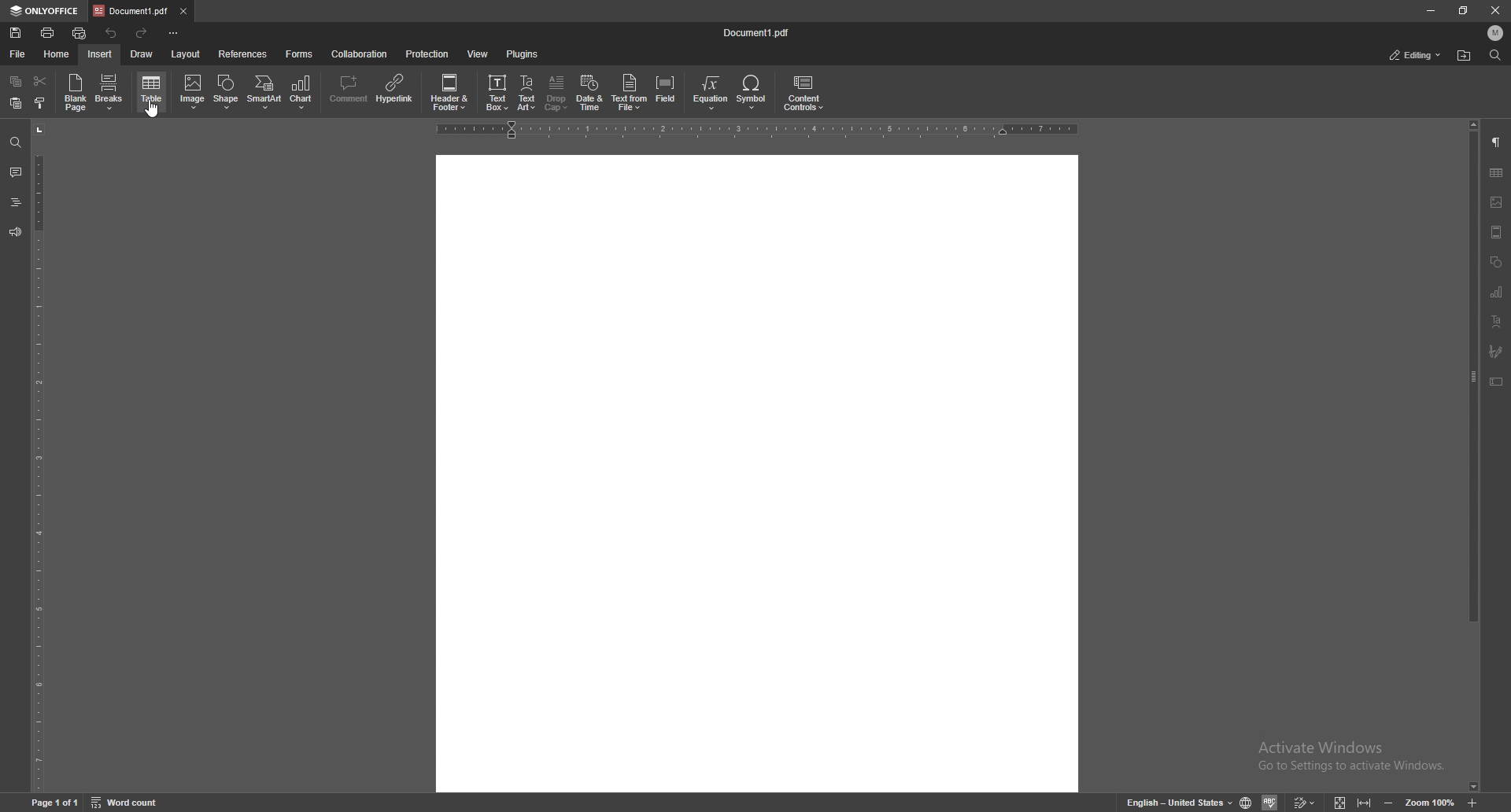 The image size is (1511, 812). Describe the element at coordinates (754, 474) in the screenshot. I see `document` at that location.